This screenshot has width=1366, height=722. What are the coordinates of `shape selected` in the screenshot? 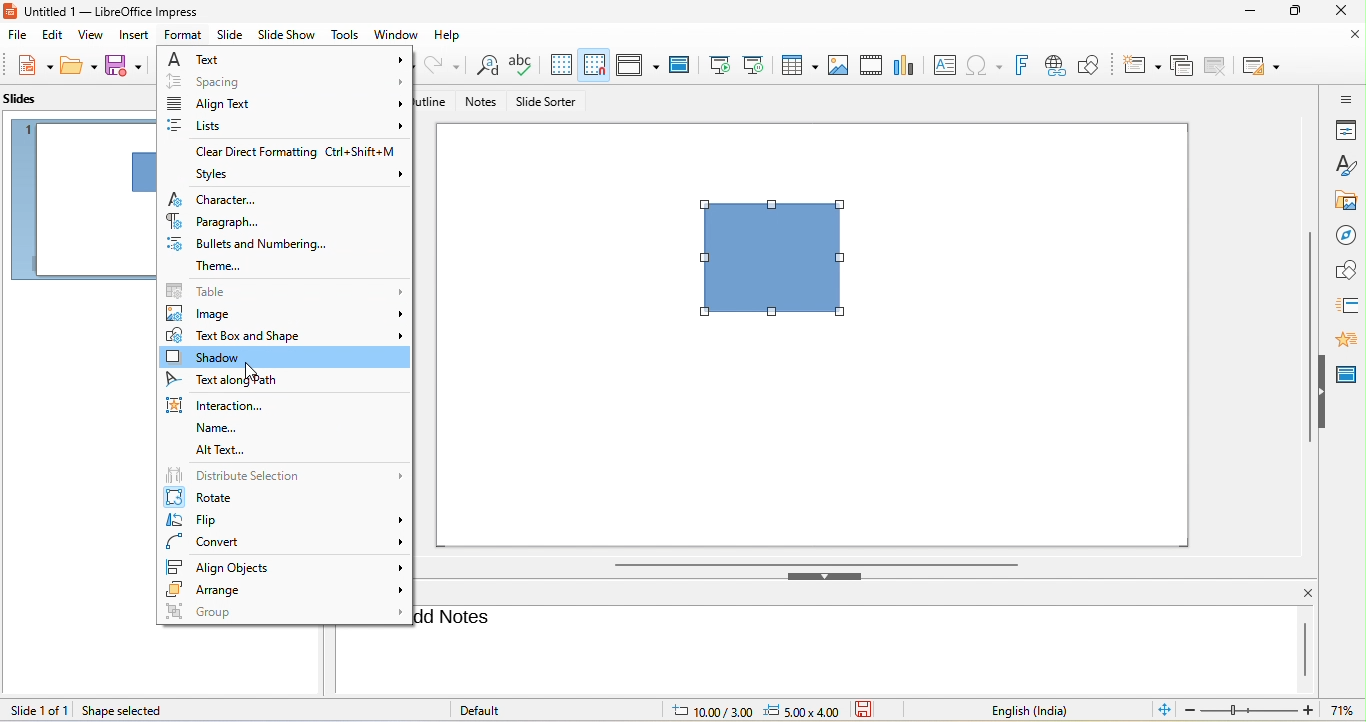 It's located at (124, 711).